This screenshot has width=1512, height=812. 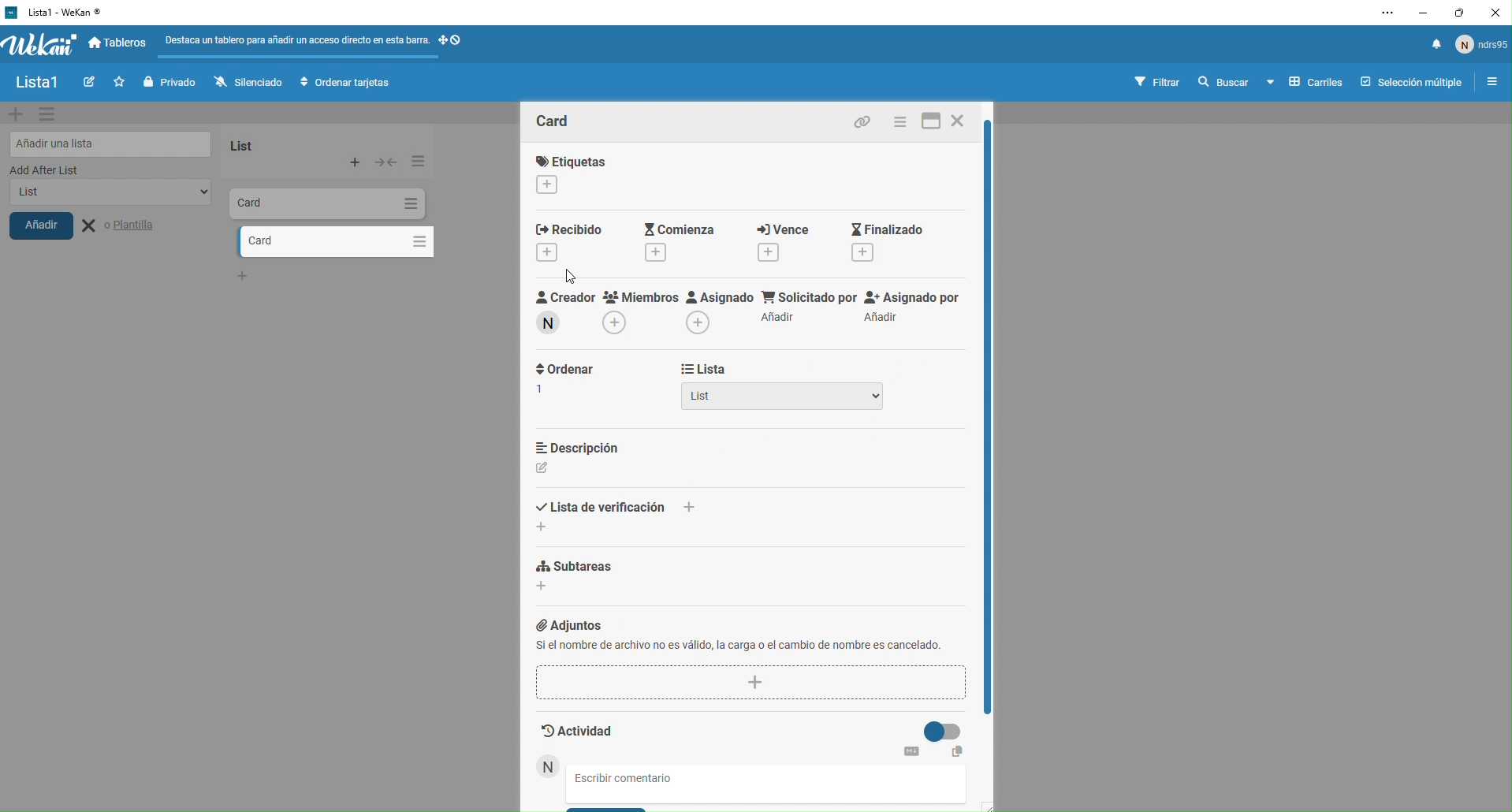 I want to click on add after list, so click(x=93, y=170).